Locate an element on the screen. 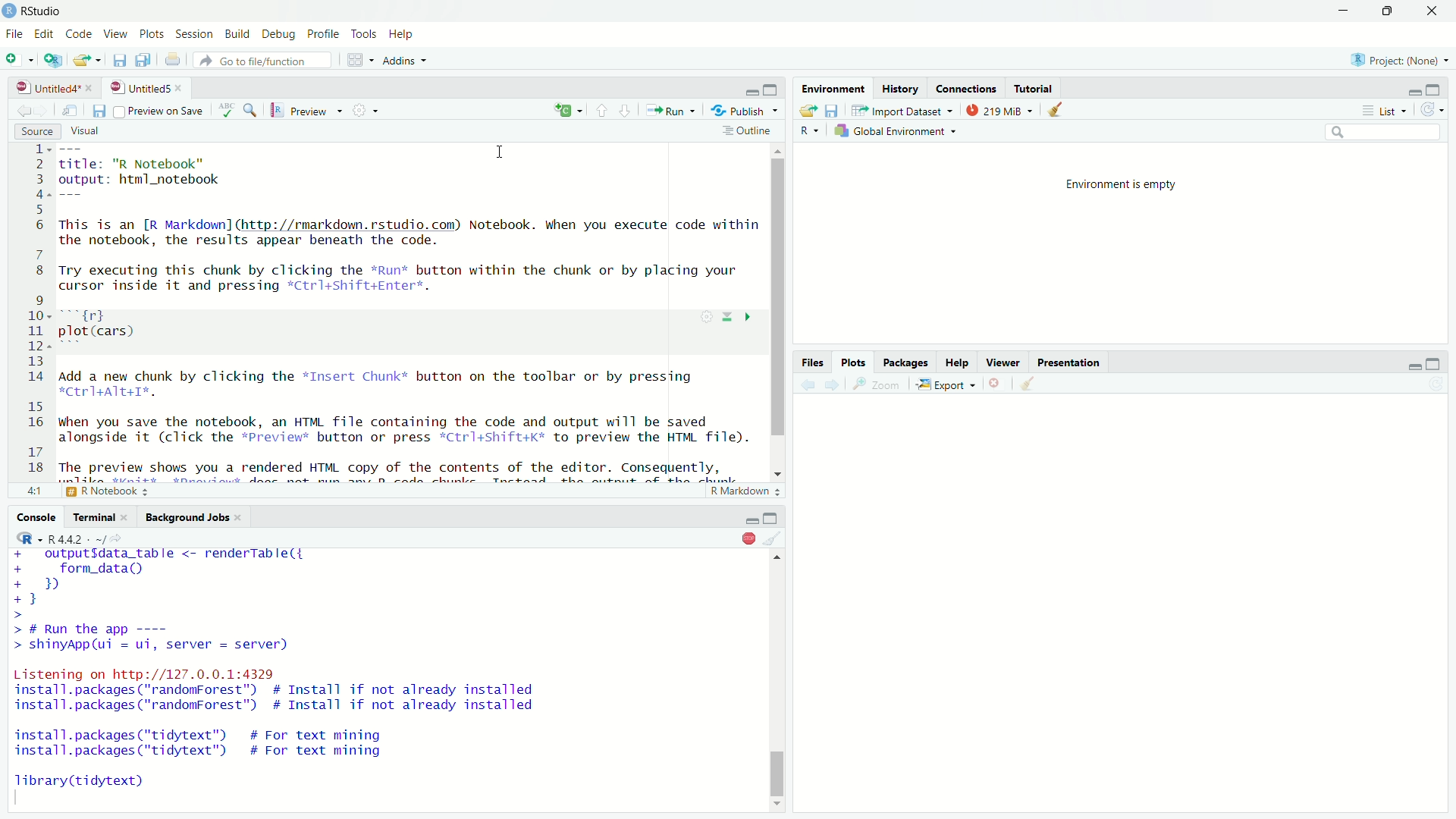  Go to file/function is located at coordinates (262, 60).